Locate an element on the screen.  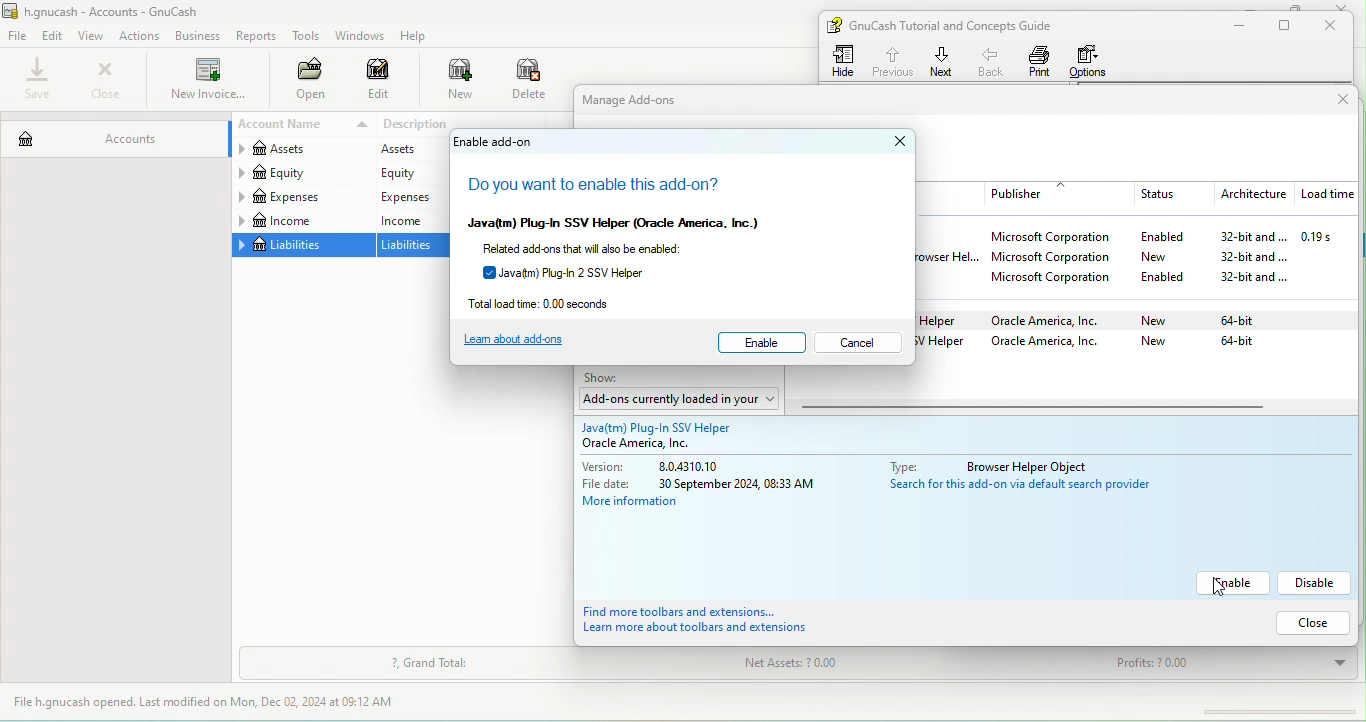
 file date:   30 september 2024, 08:33 am is located at coordinates (703, 484).